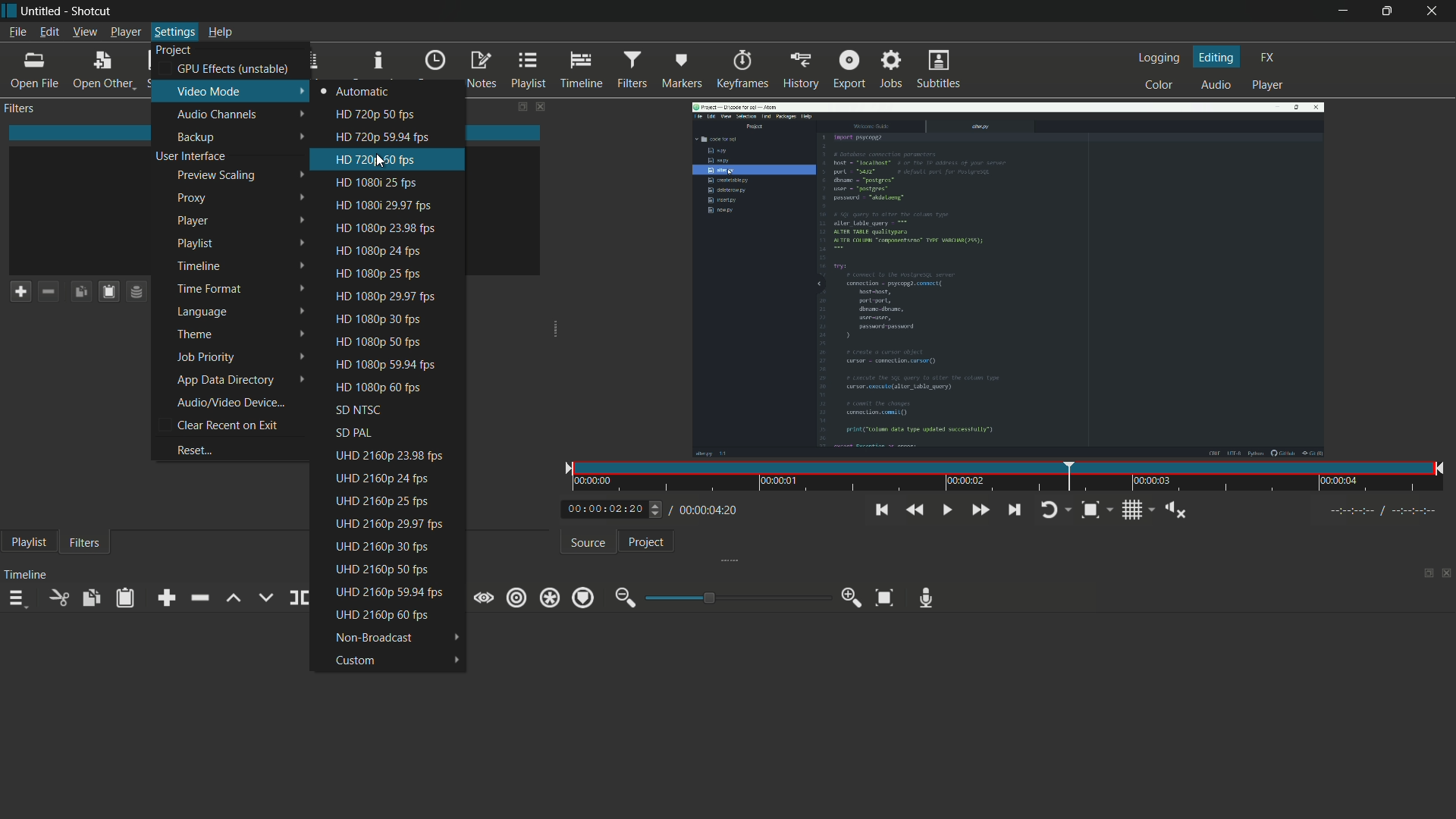 This screenshot has height=819, width=1456. What do you see at coordinates (49, 33) in the screenshot?
I see `edit menu` at bounding box center [49, 33].